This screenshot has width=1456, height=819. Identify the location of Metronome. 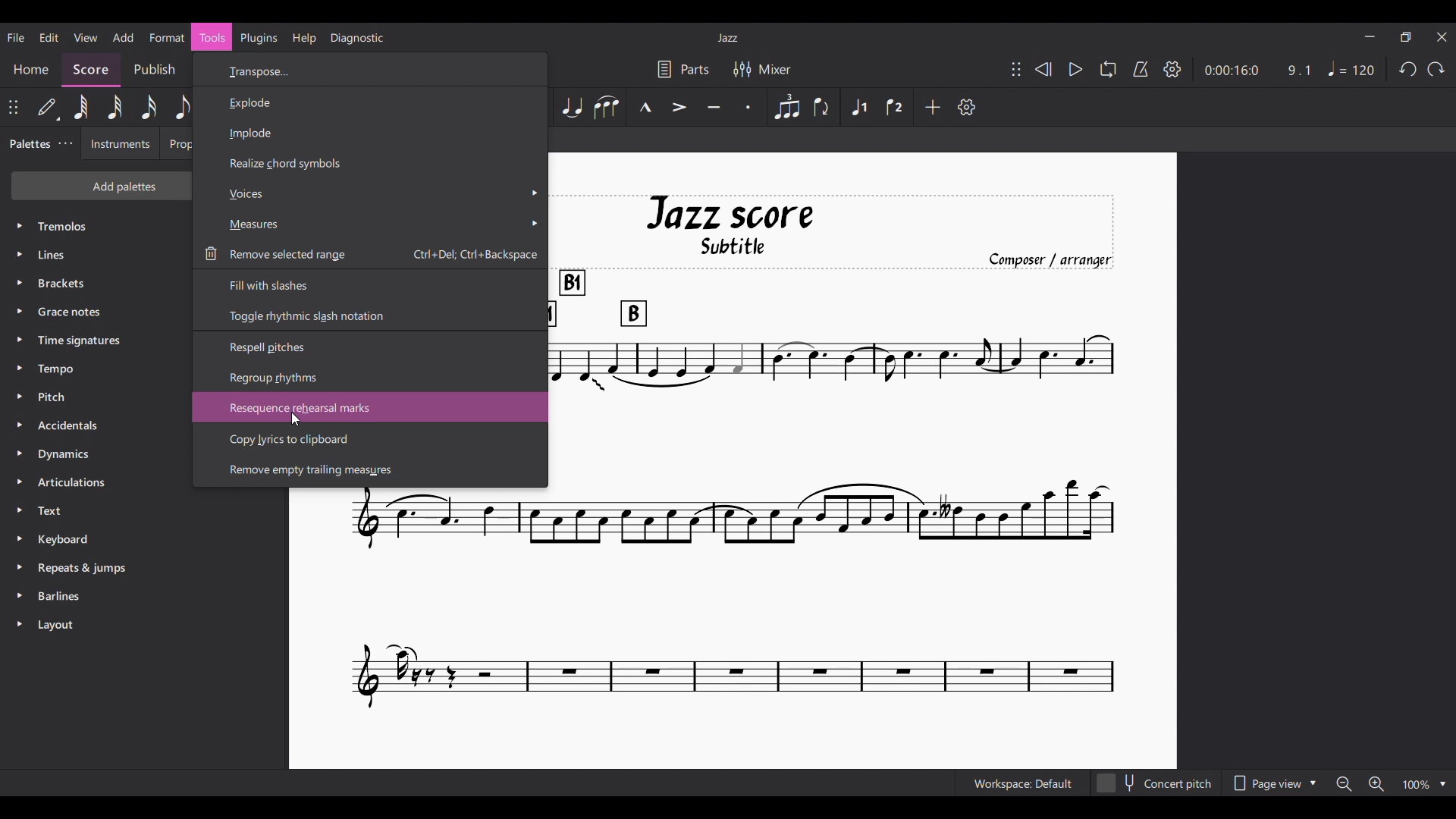
(1141, 69).